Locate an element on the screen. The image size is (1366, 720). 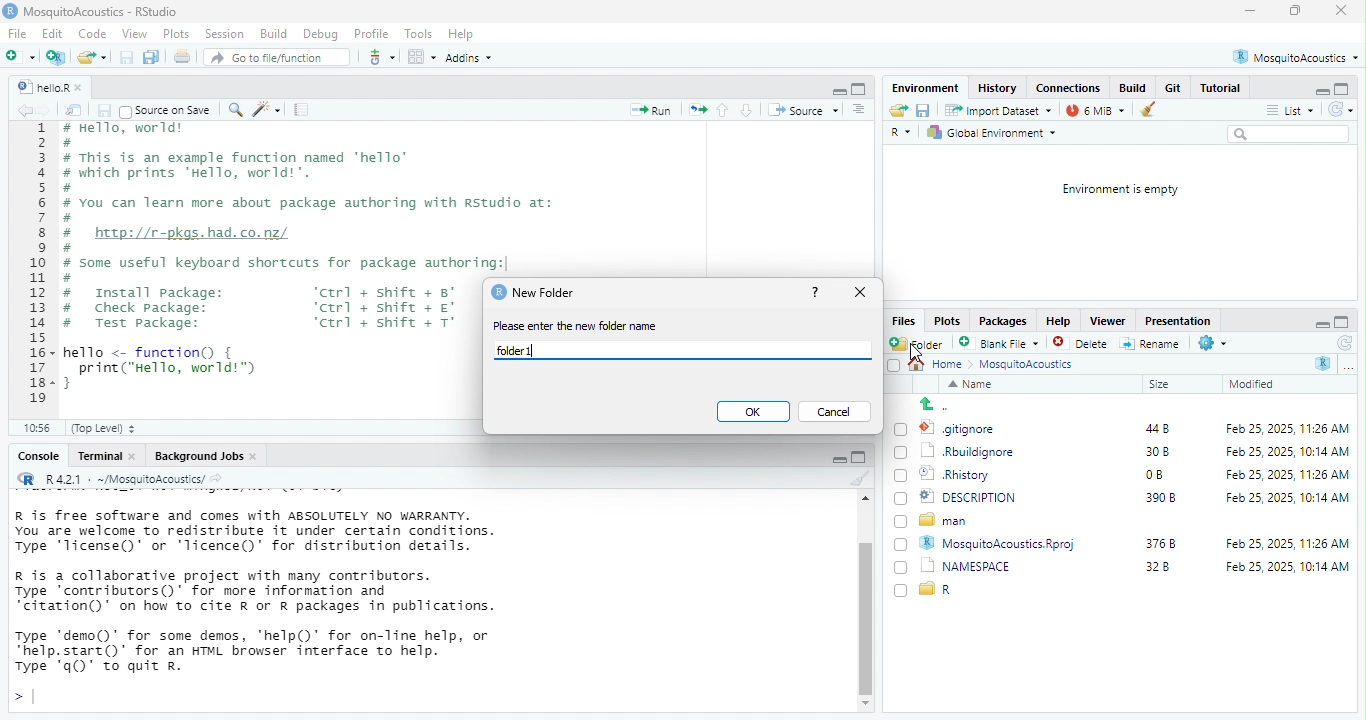
 NAMESPACE is located at coordinates (976, 566).